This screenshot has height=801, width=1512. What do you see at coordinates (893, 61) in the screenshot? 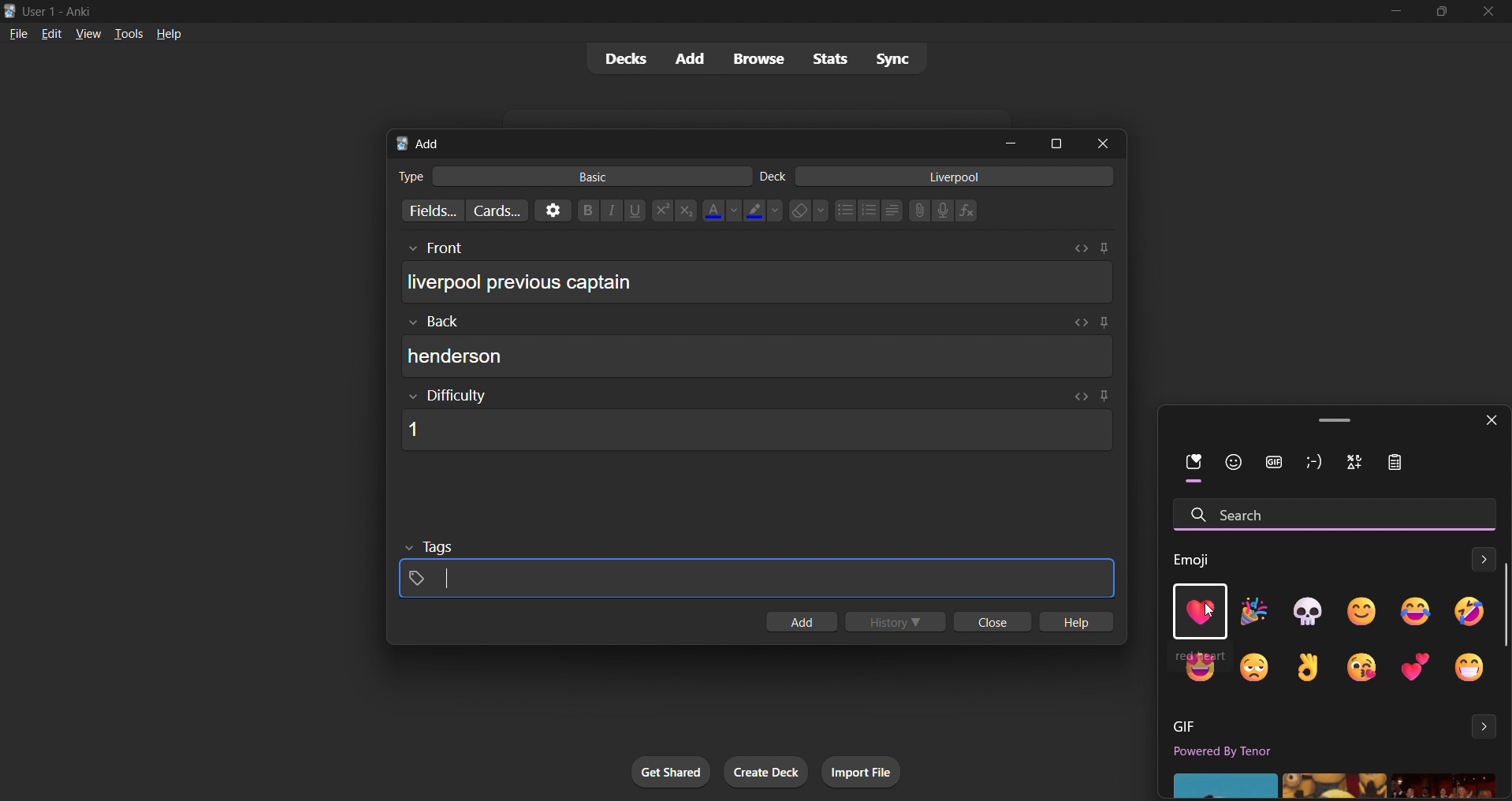
I see `sync` at bounding box center [893, 61].